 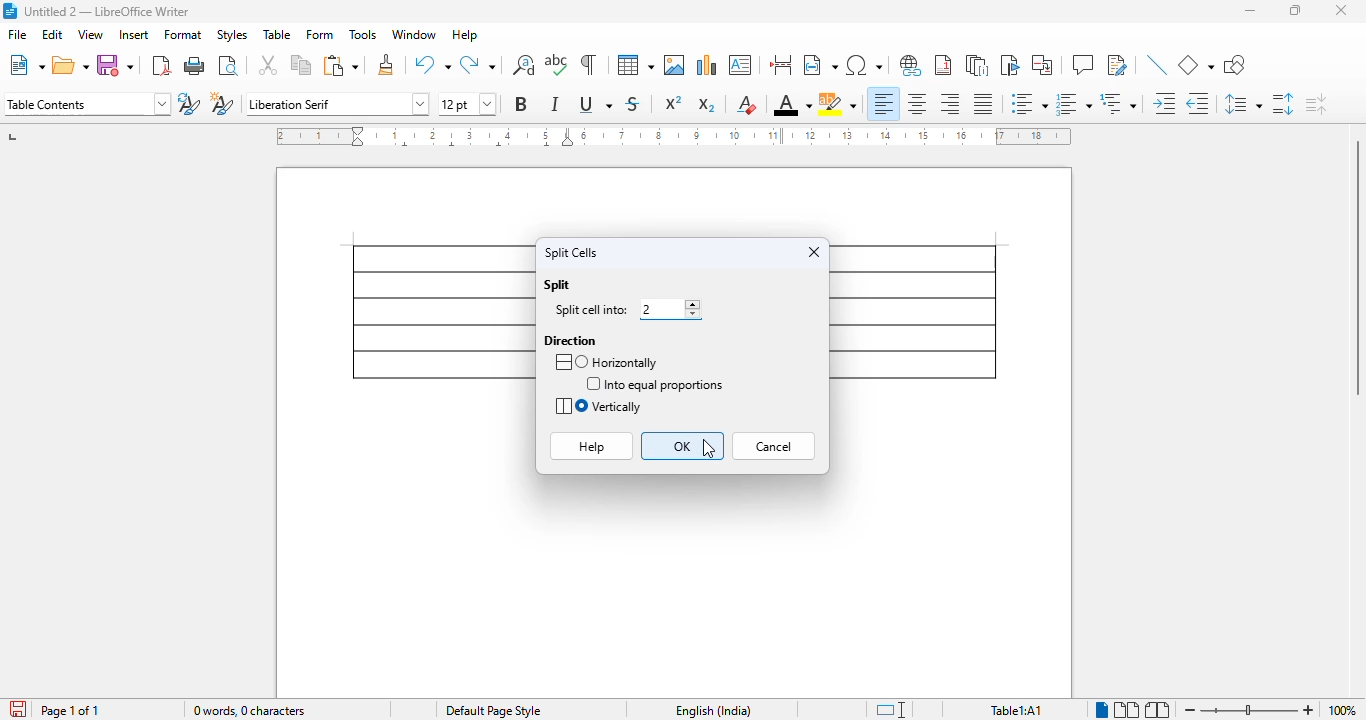 What do you see at coordinates (1029, 103) in the screenshot?
I see `toggle unordered list` at bounding box center [1029, 103].